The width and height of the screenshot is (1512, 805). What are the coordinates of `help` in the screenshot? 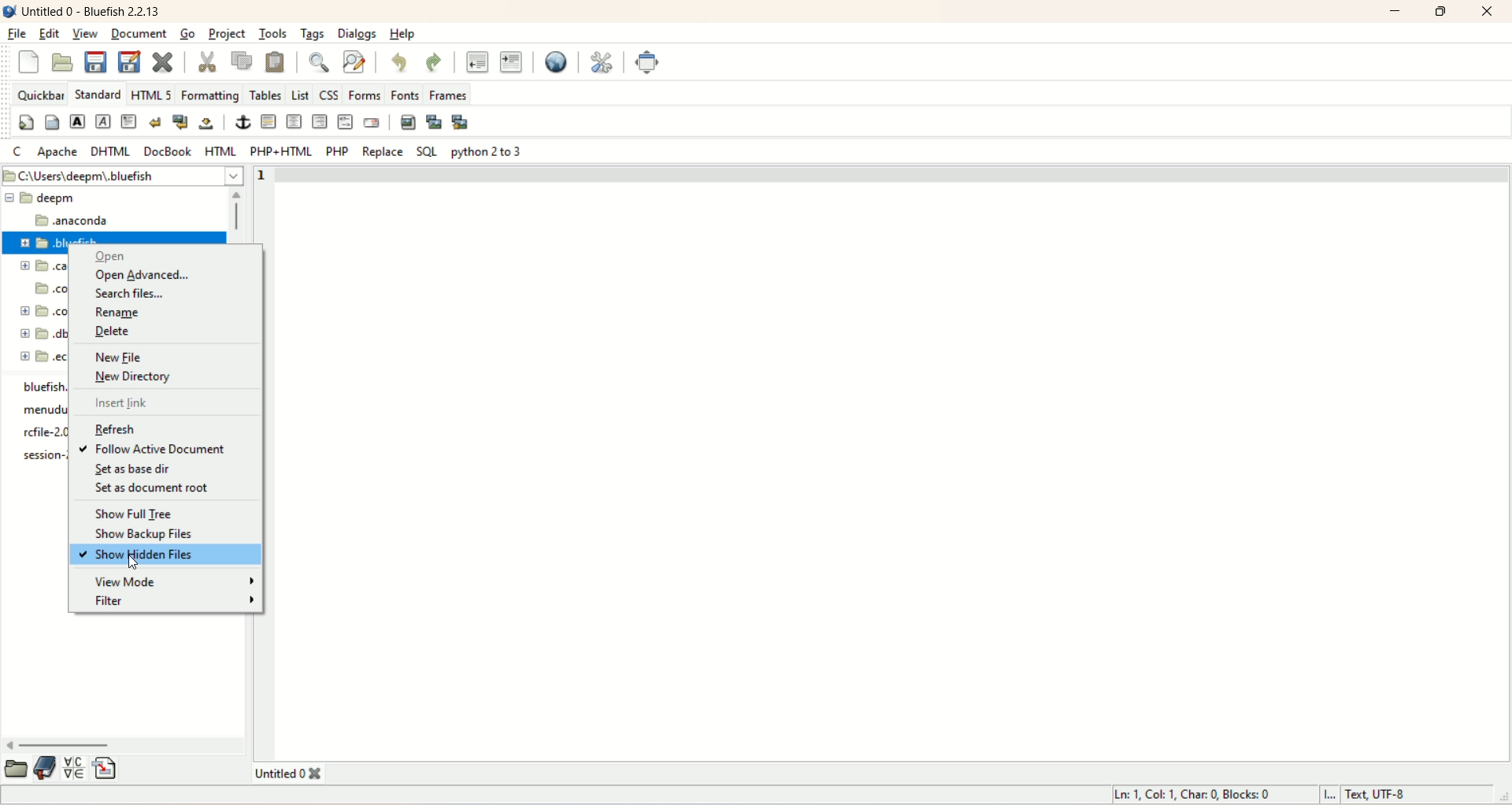 It's located at (400, 34).